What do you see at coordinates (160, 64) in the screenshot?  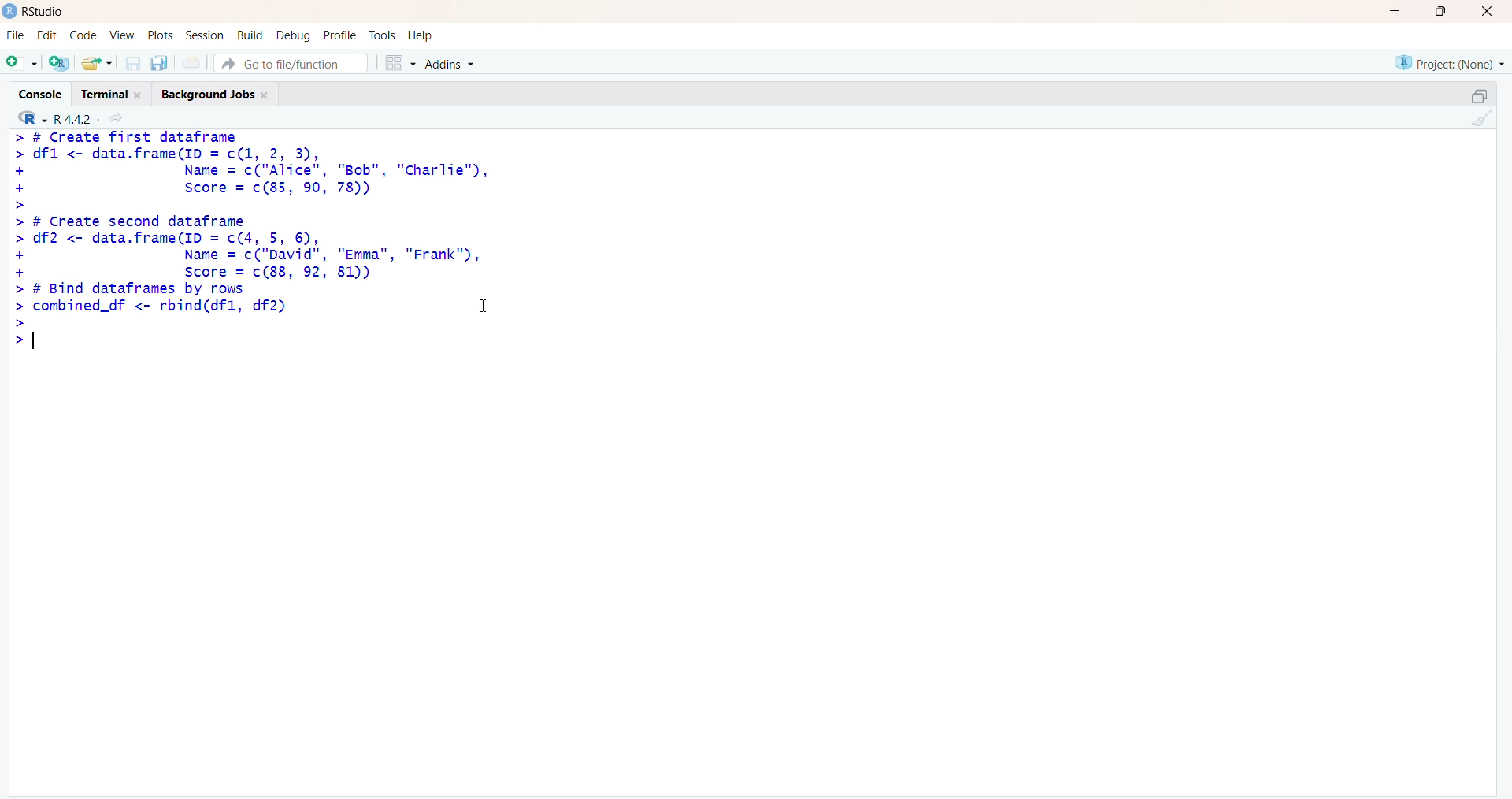 I see `save all open document` at bounding box center [160, 64].